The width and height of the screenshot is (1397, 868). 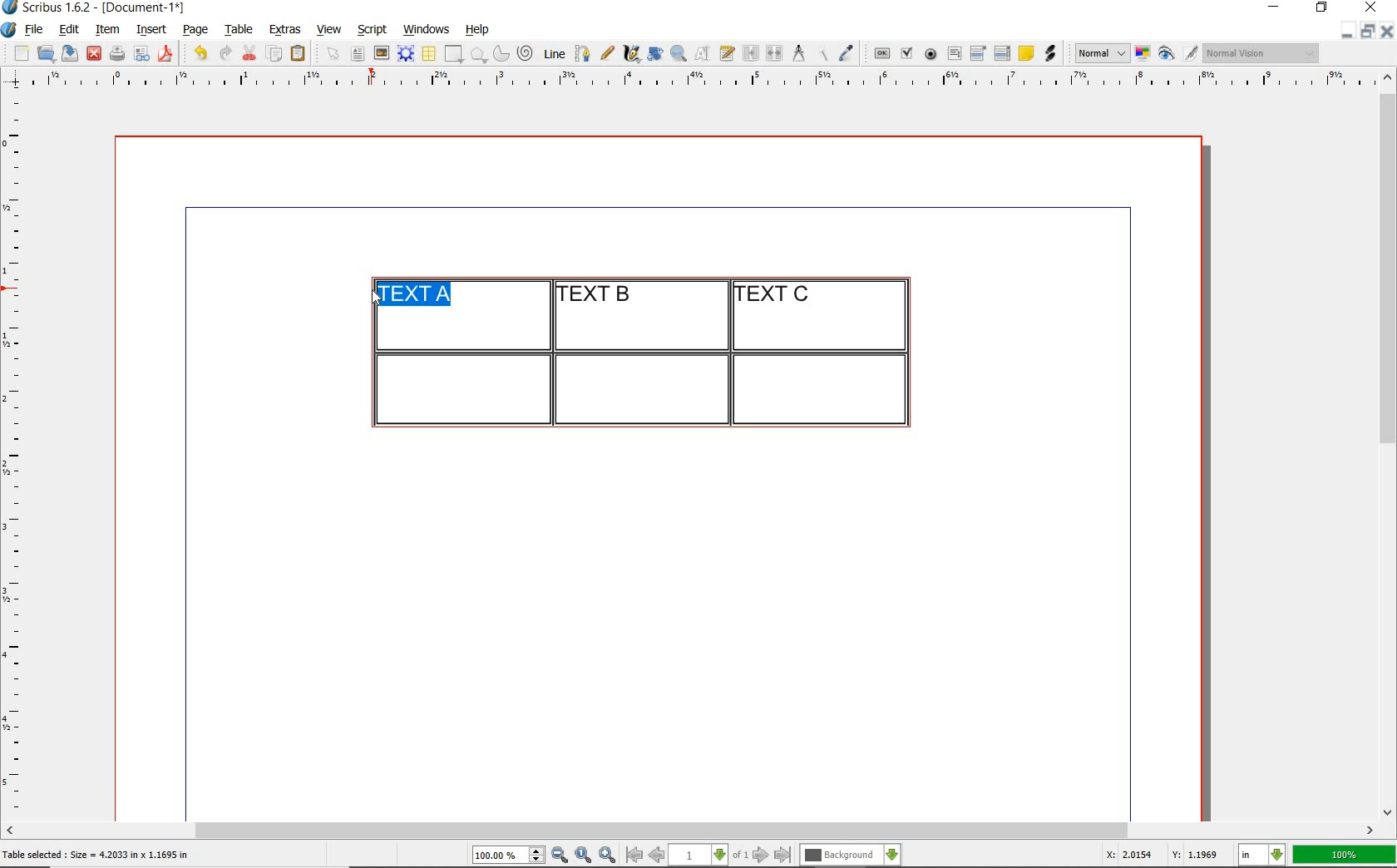 What do you see at coordinates (954, 55) in the screenshot?
I see `pdf text field` at bounding box center [954, 55].